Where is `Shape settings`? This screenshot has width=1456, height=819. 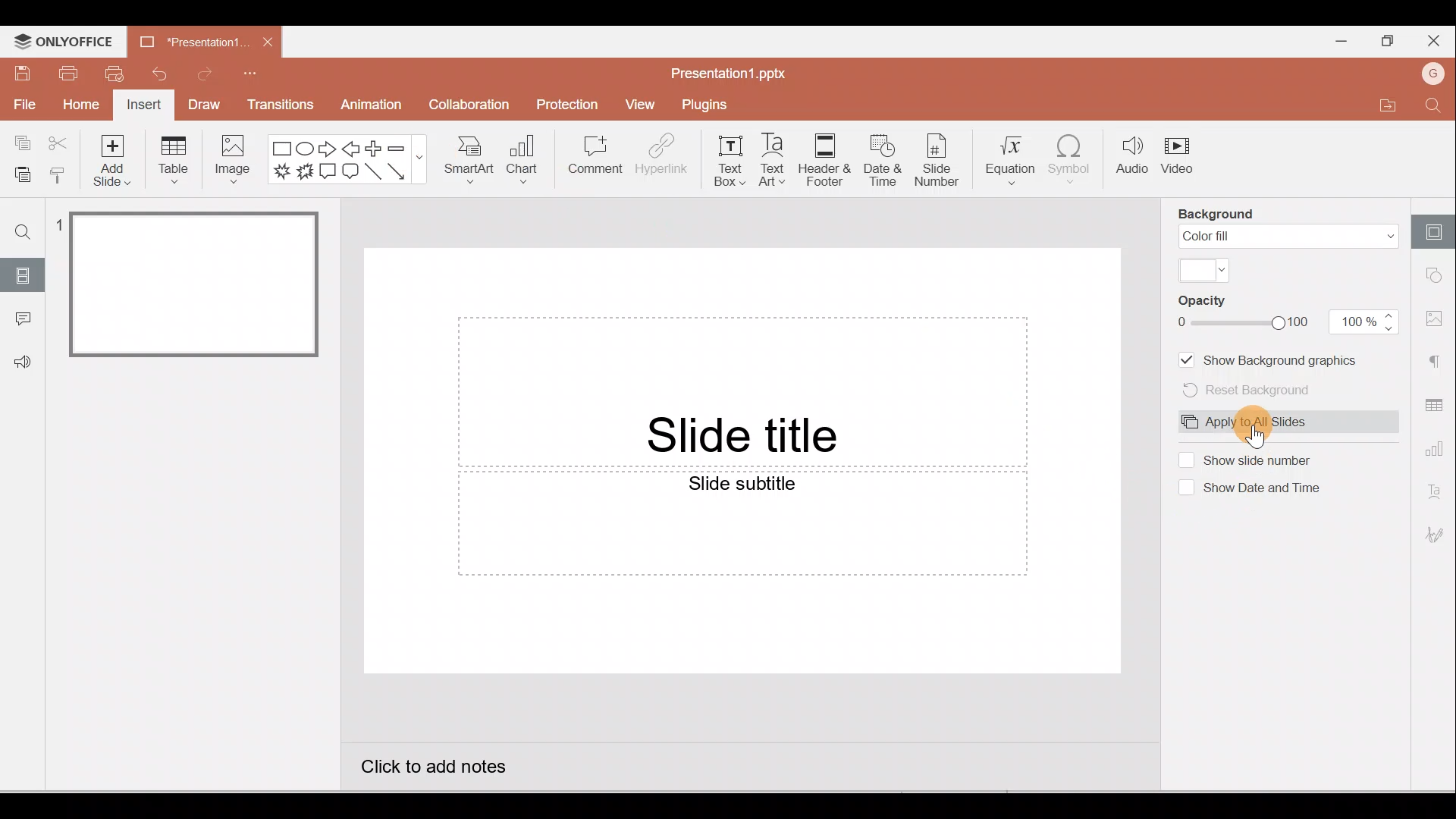
Shape settings is located at coordinates (1439, 277).